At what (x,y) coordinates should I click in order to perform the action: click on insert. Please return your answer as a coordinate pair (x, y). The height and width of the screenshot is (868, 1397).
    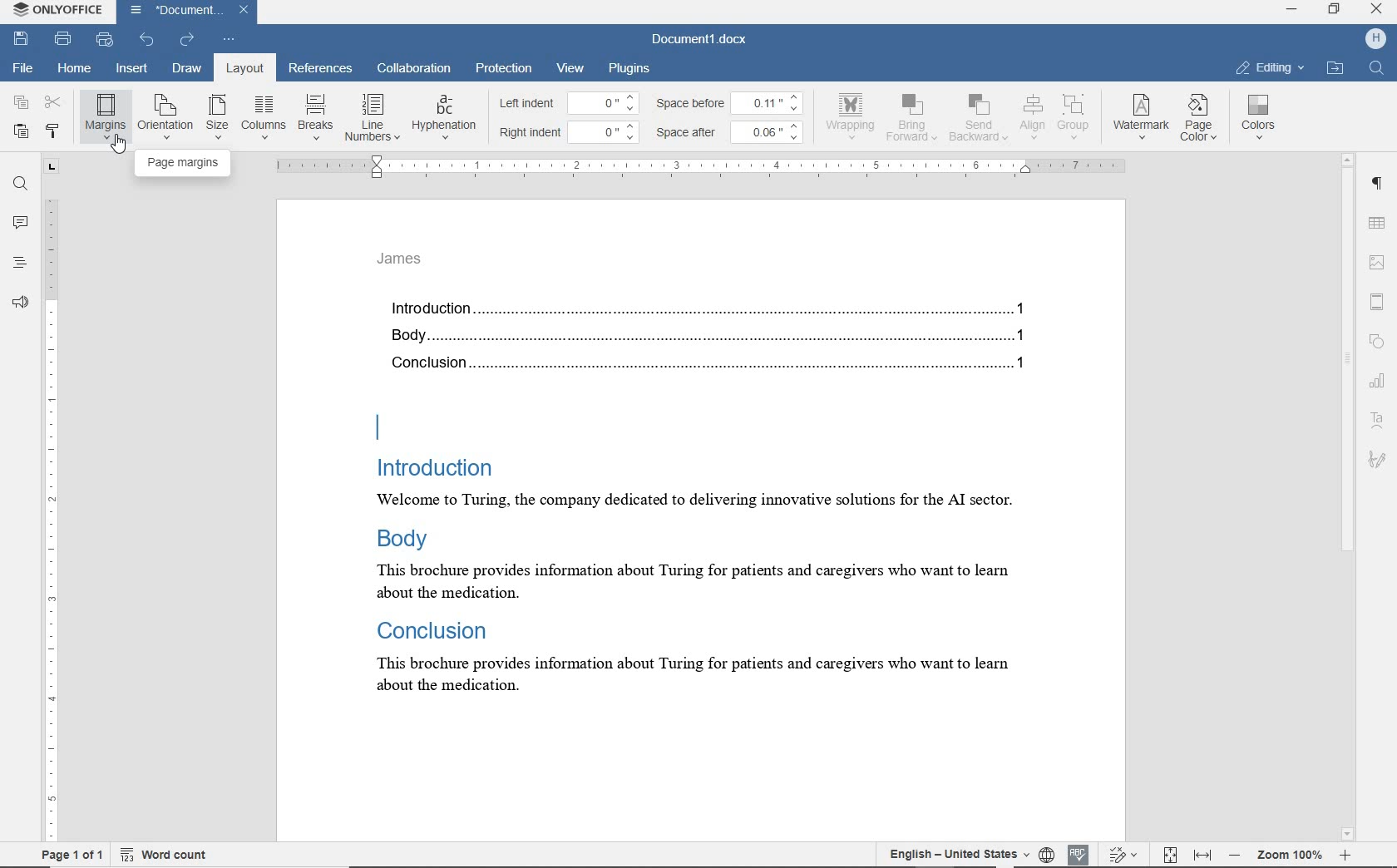
    Looking at the image, I should click on (134, 69).